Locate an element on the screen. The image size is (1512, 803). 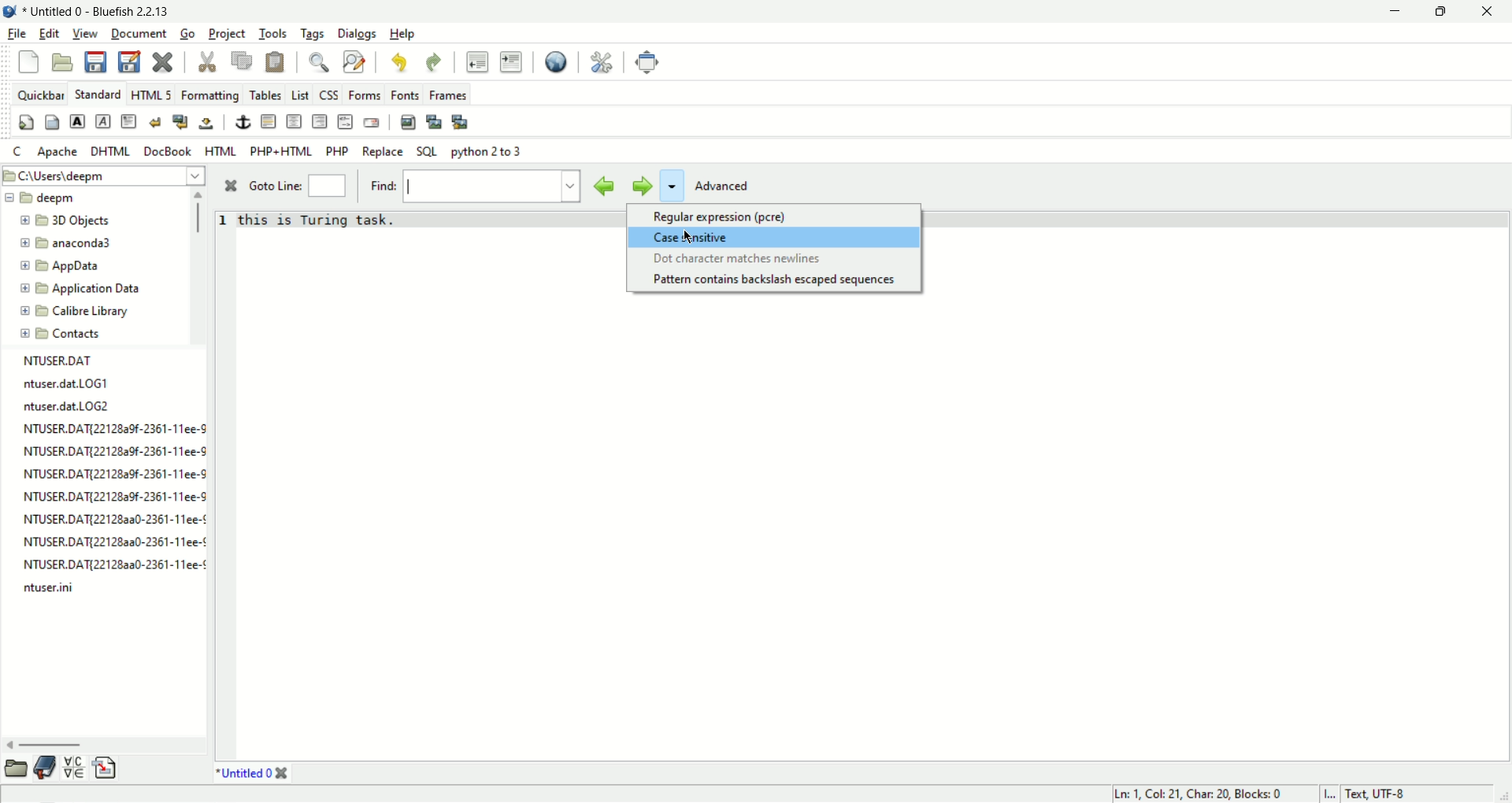
Go is located at coordinates (191, 34).